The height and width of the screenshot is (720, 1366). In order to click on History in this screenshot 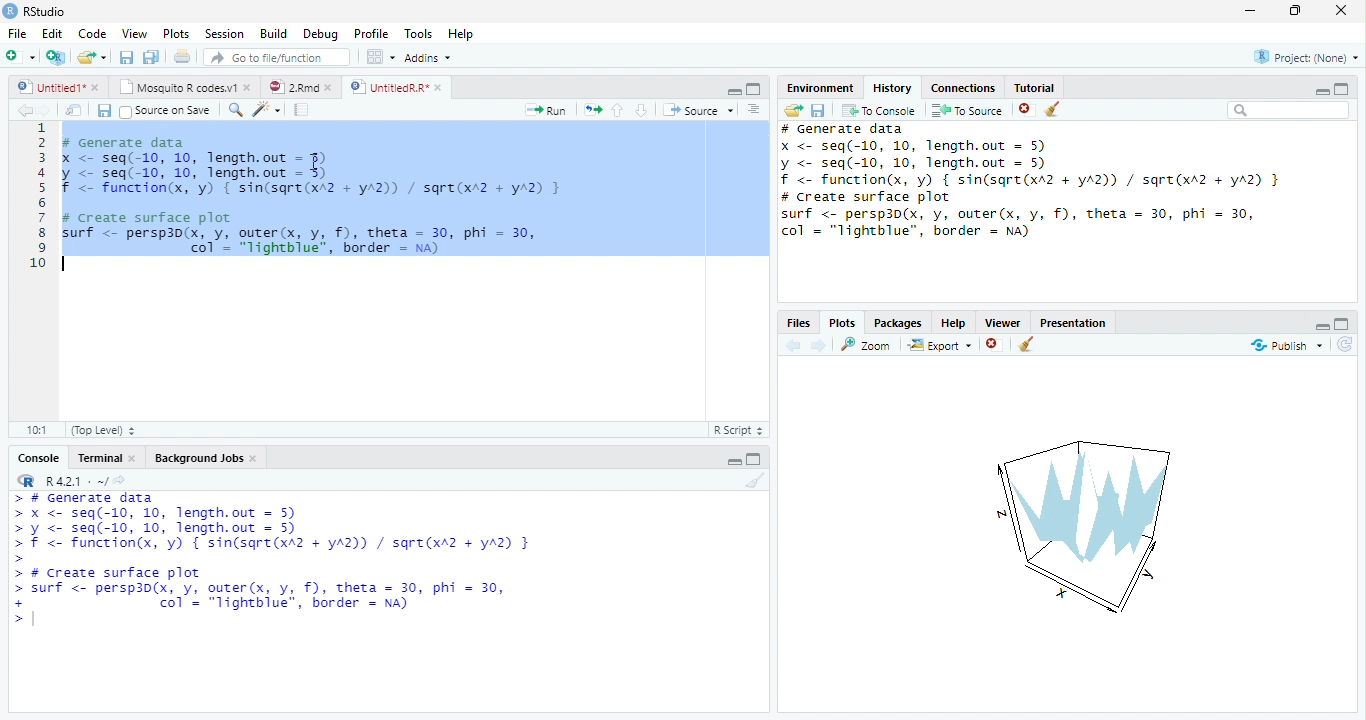, I will do `click(893, 87)`.